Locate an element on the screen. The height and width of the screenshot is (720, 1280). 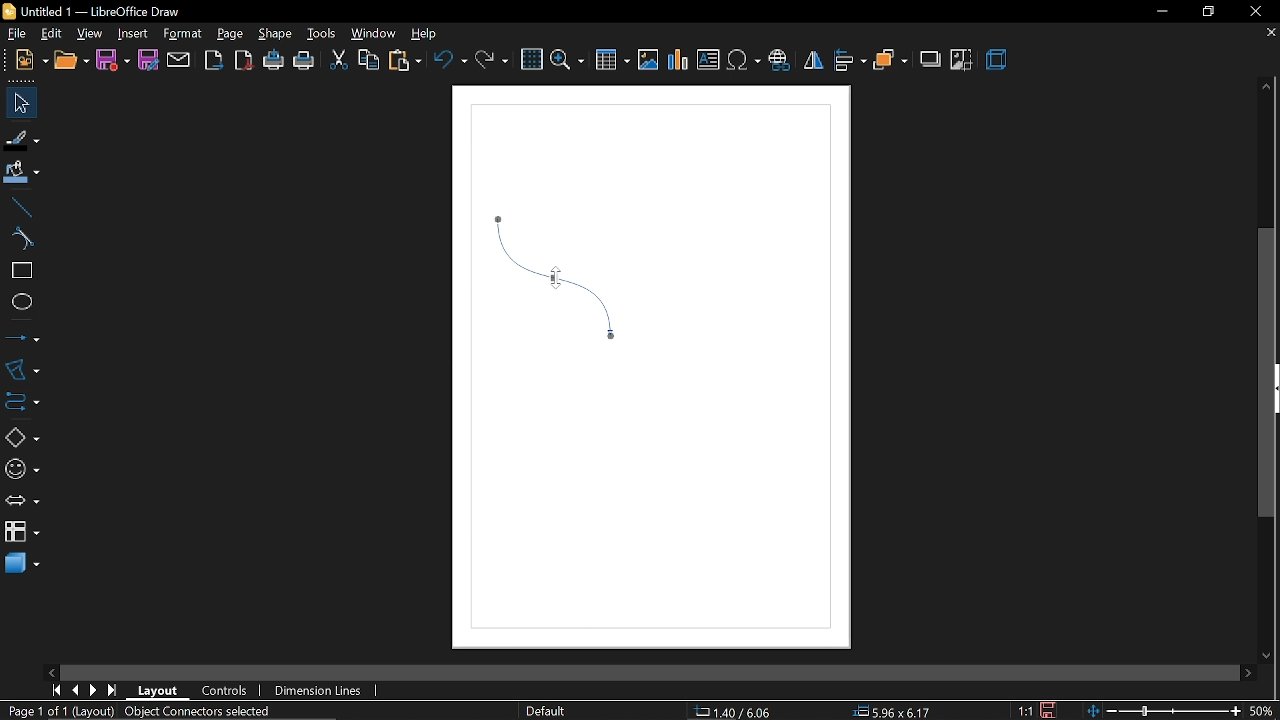
move left is located at coordinates (51, 671).